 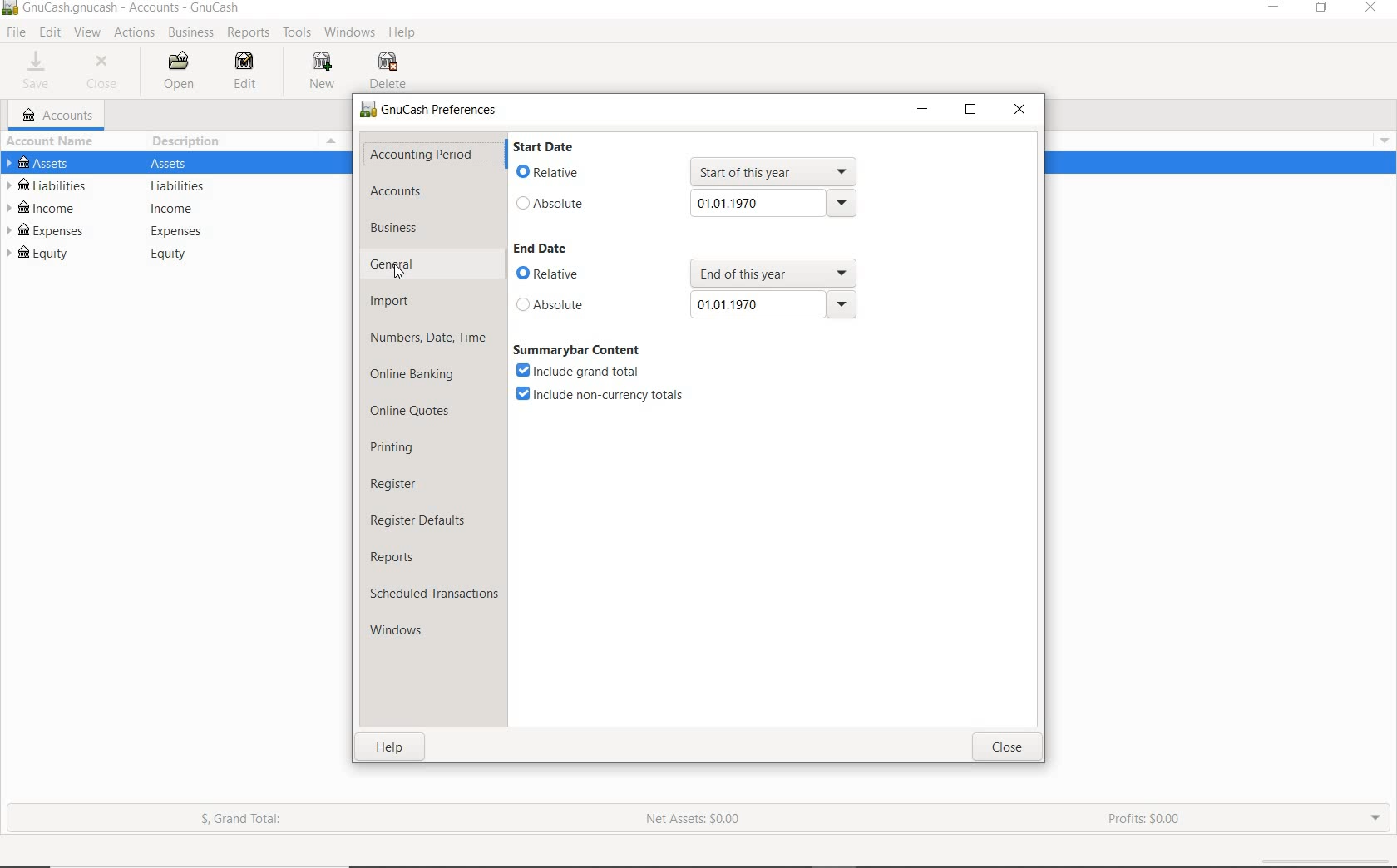 What do you see at coordinates (396, 559) in the screenshot?
I see `REPORTS` at bounding box center [396, 559].